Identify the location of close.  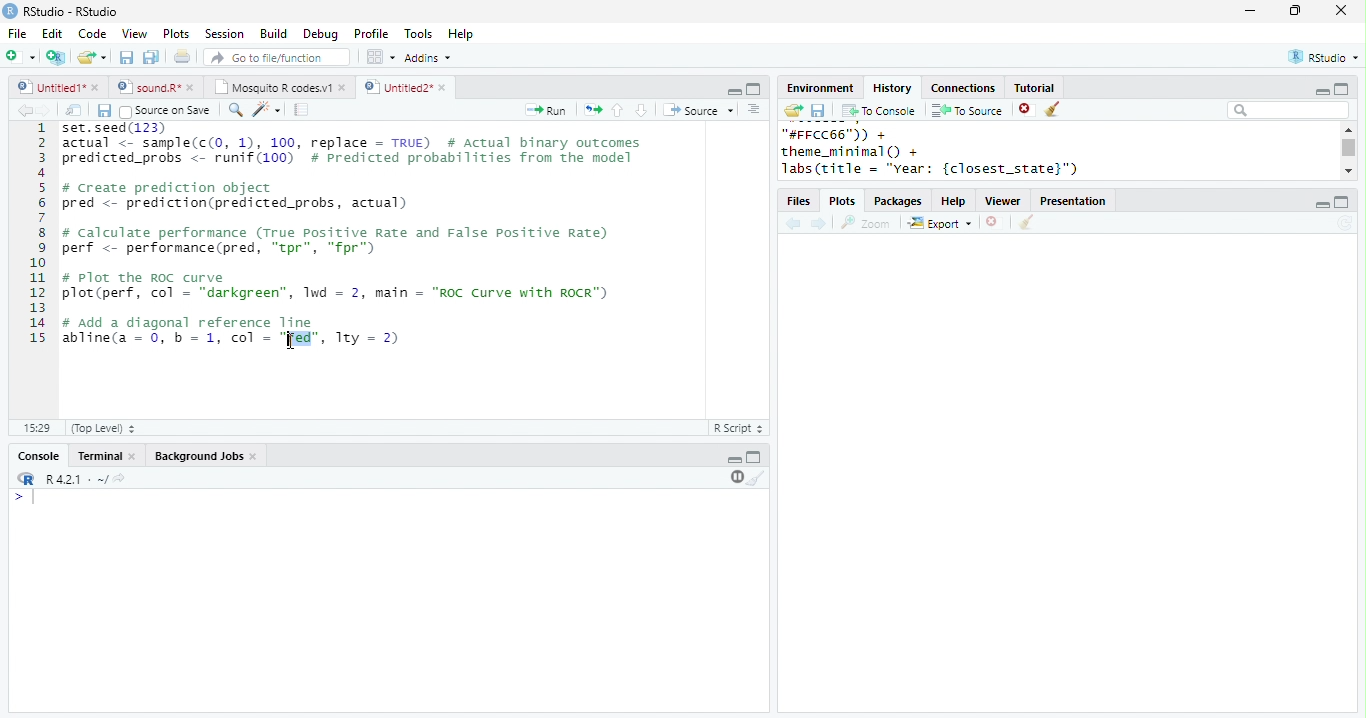
(344, 87).